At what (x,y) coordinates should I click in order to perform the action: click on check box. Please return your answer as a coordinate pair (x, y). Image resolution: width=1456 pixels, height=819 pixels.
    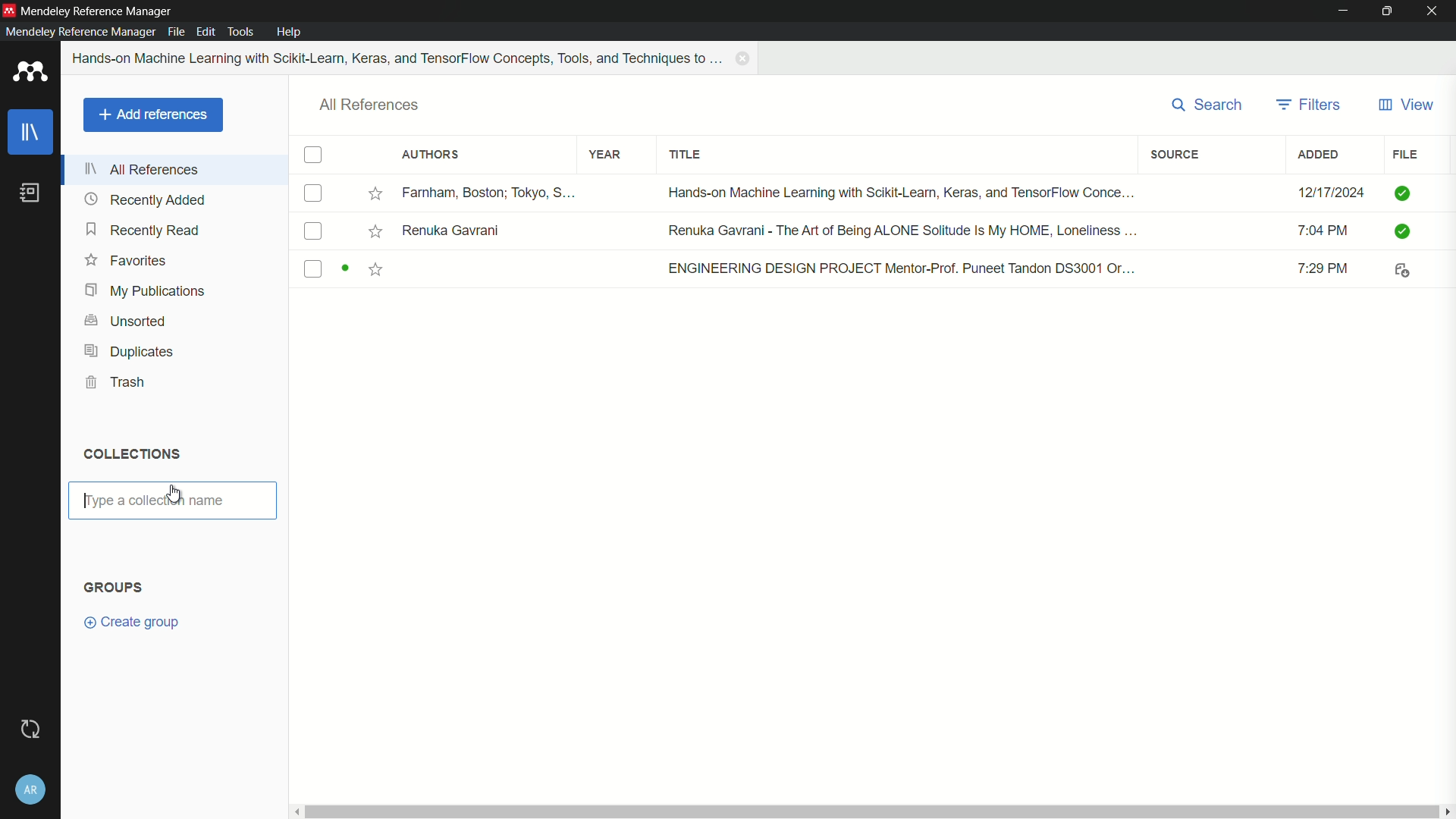
    Looking at the image, I should click on (313, 155).